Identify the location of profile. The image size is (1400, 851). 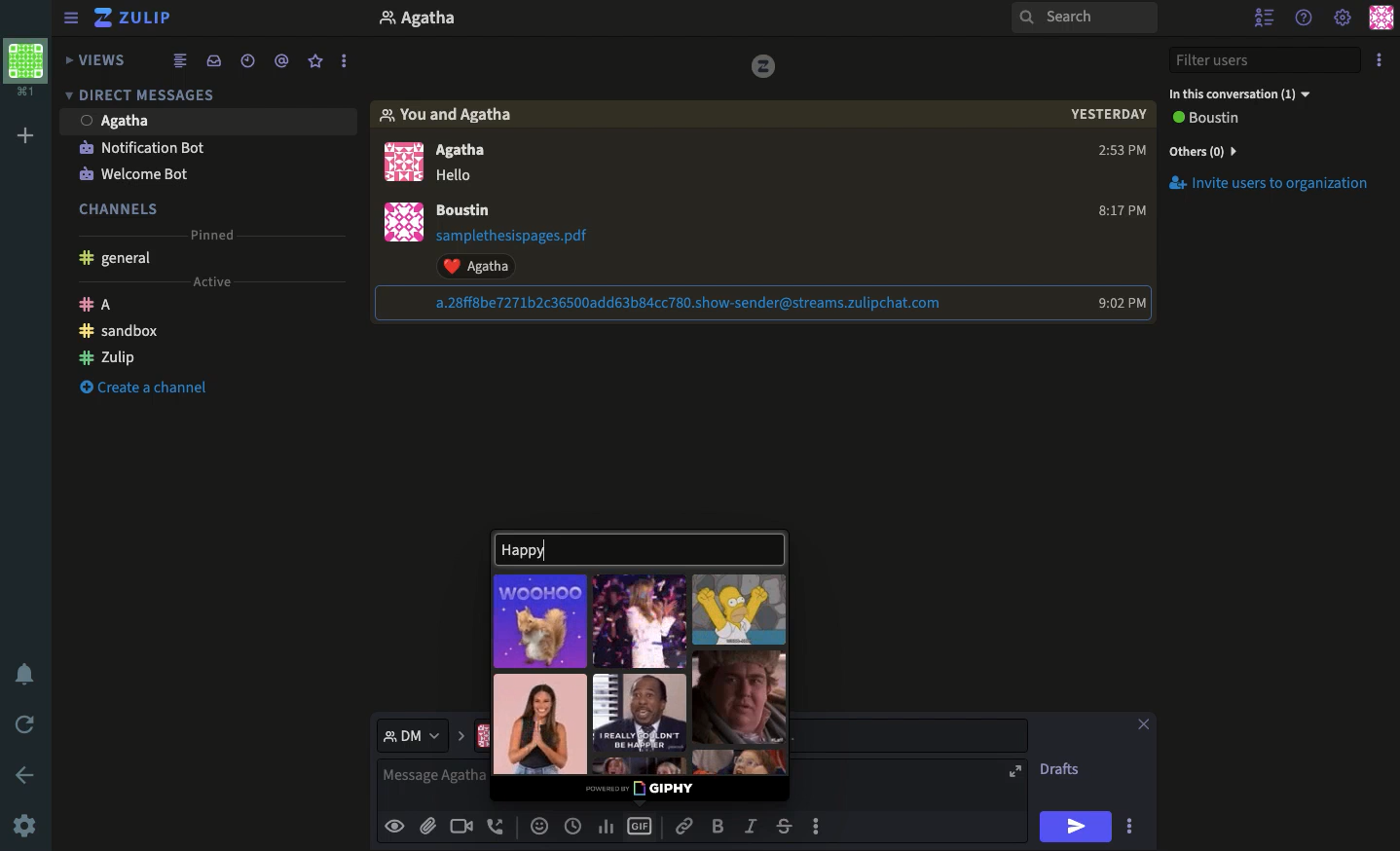
(423, 20).